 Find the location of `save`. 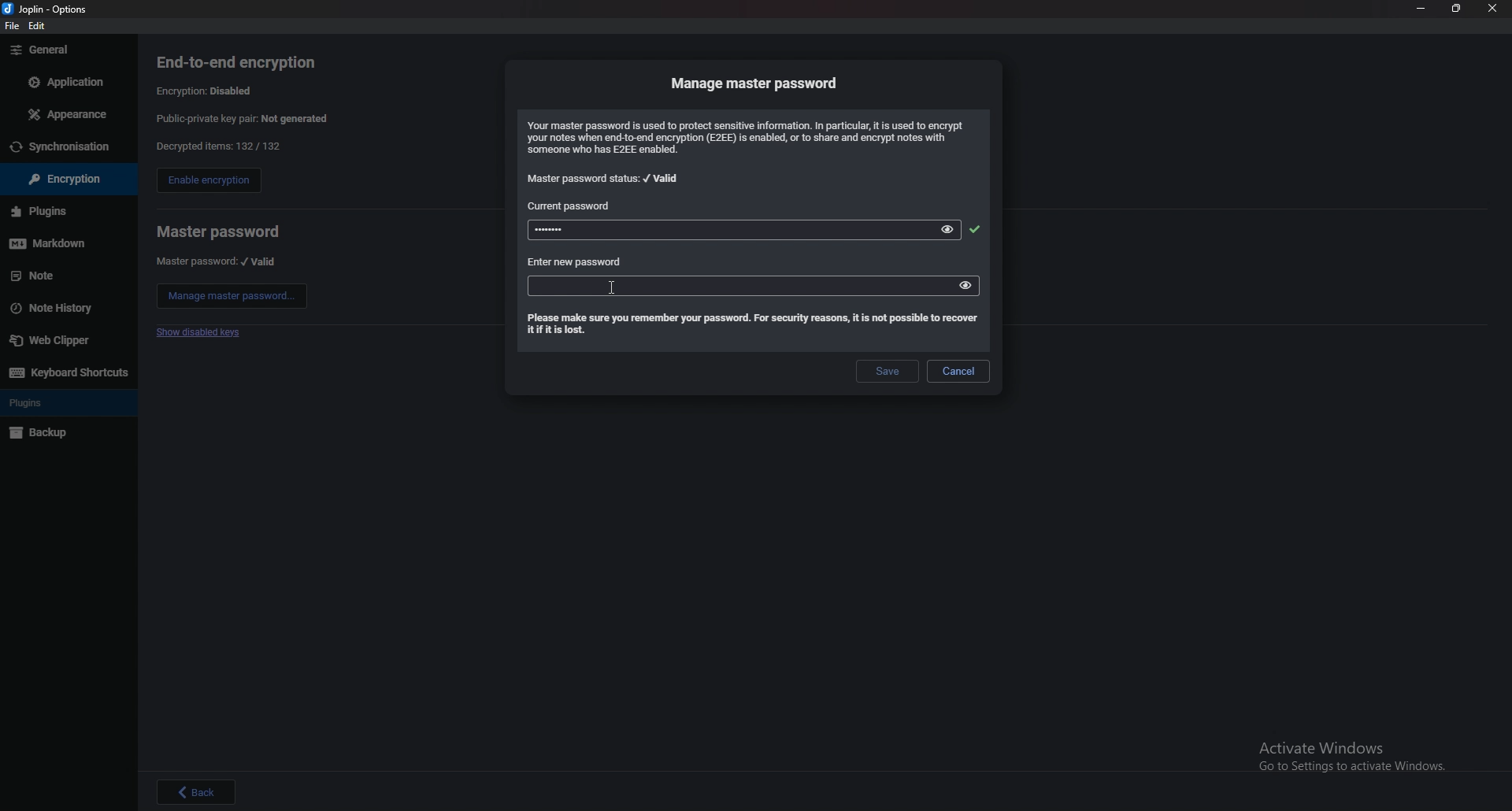

save is located at coordinates (885, 372).